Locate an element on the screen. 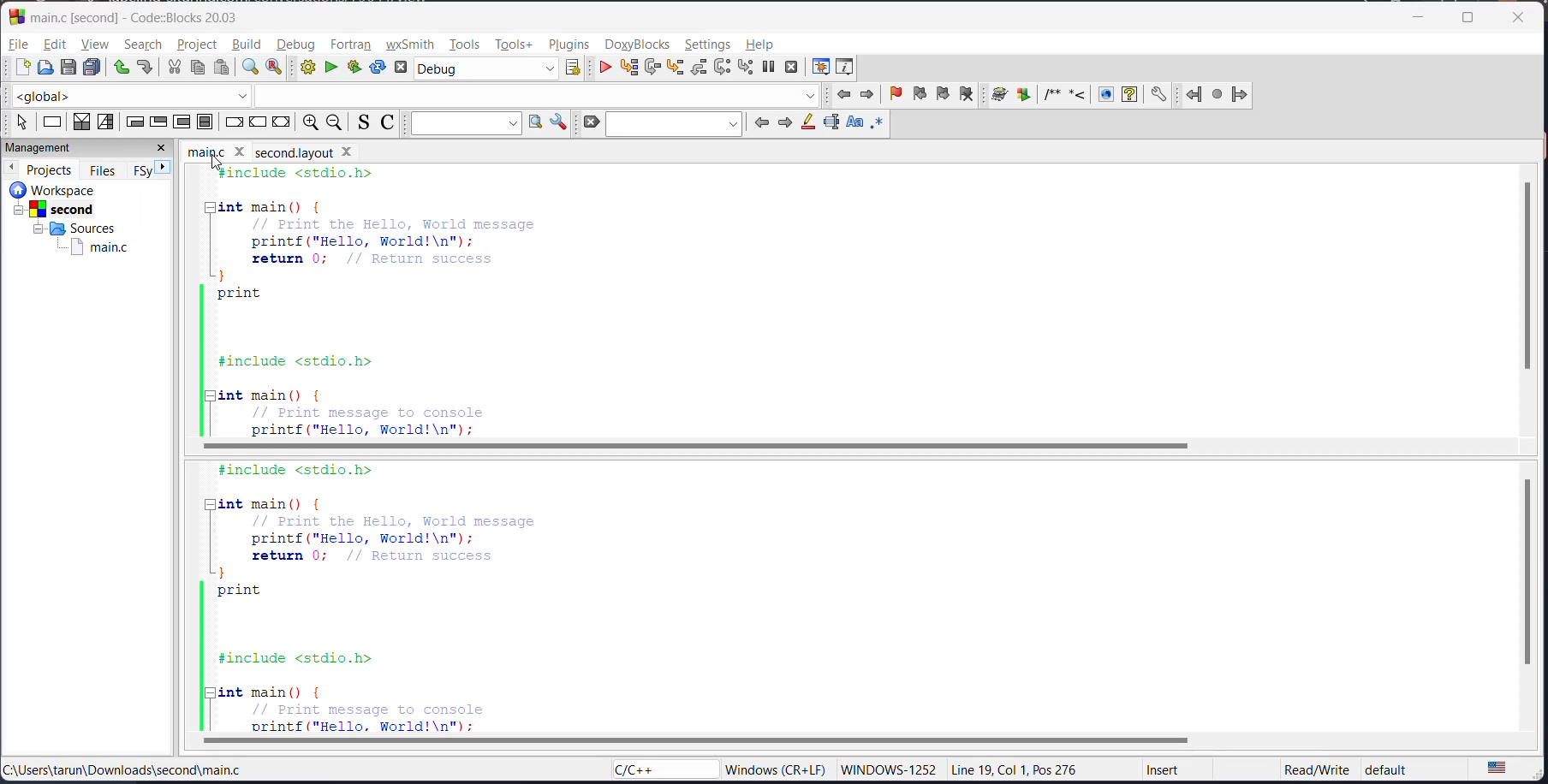 This screenshot has width=1548, height=784. second is located at coordinates (53, 210).